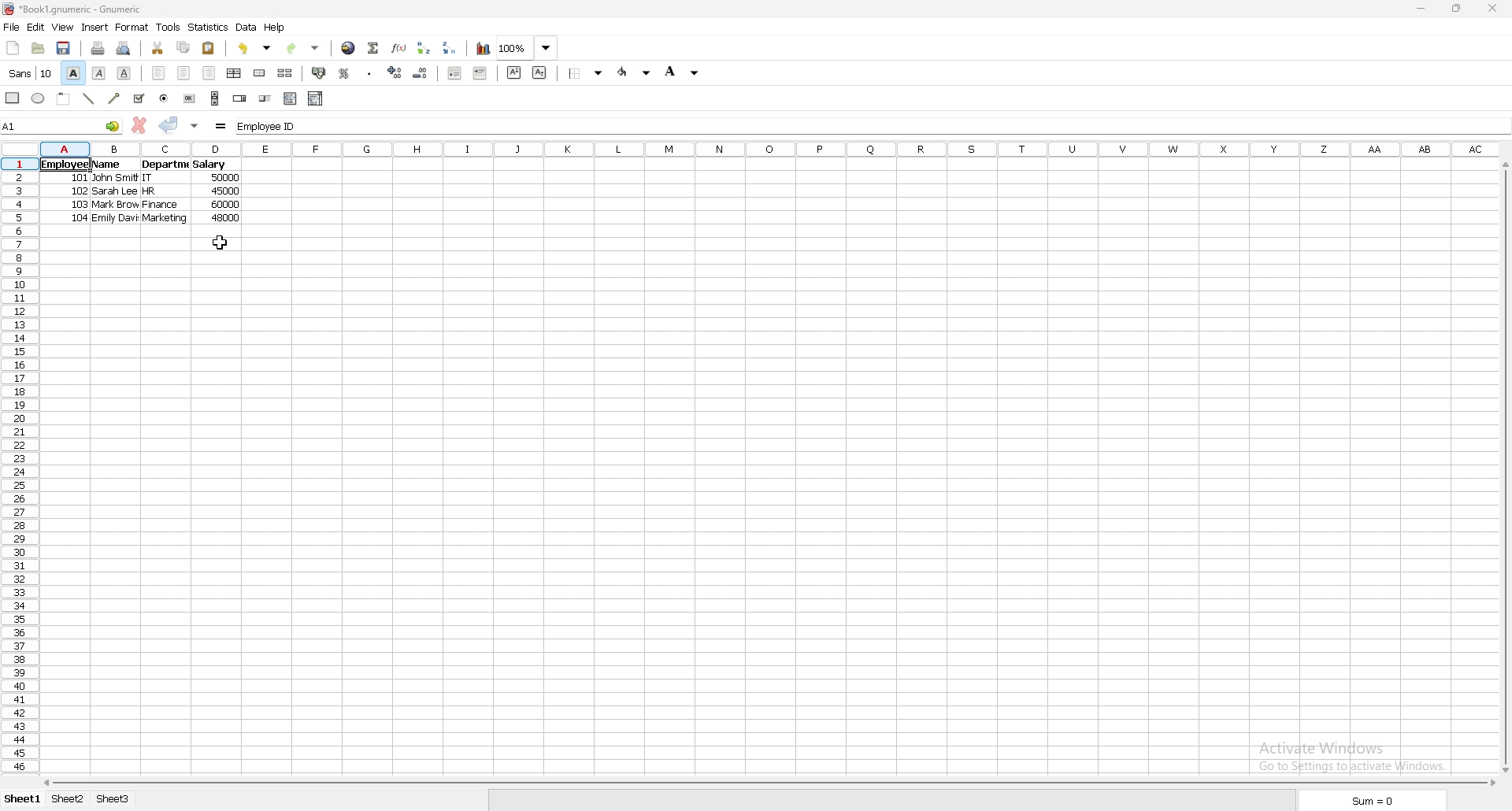 This screenshot has width=1512, height=811. What do you see at coordinates (76, 206) in the screenshot?
I see `103` at bounding box center [76, 206].